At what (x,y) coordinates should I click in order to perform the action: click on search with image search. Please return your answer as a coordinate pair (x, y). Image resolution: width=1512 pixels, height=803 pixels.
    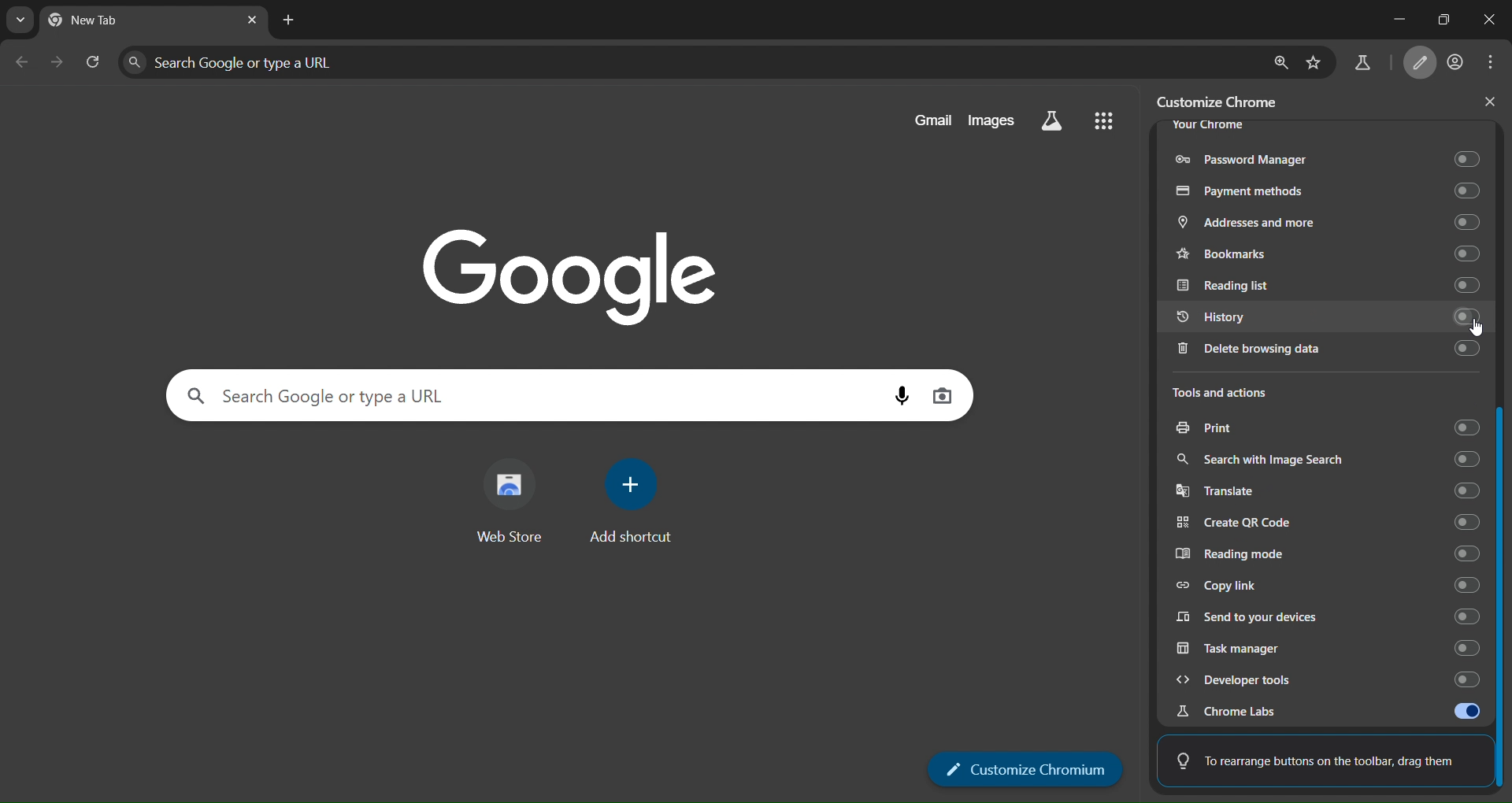
    Looking at the image, I should click on (1326, 460).